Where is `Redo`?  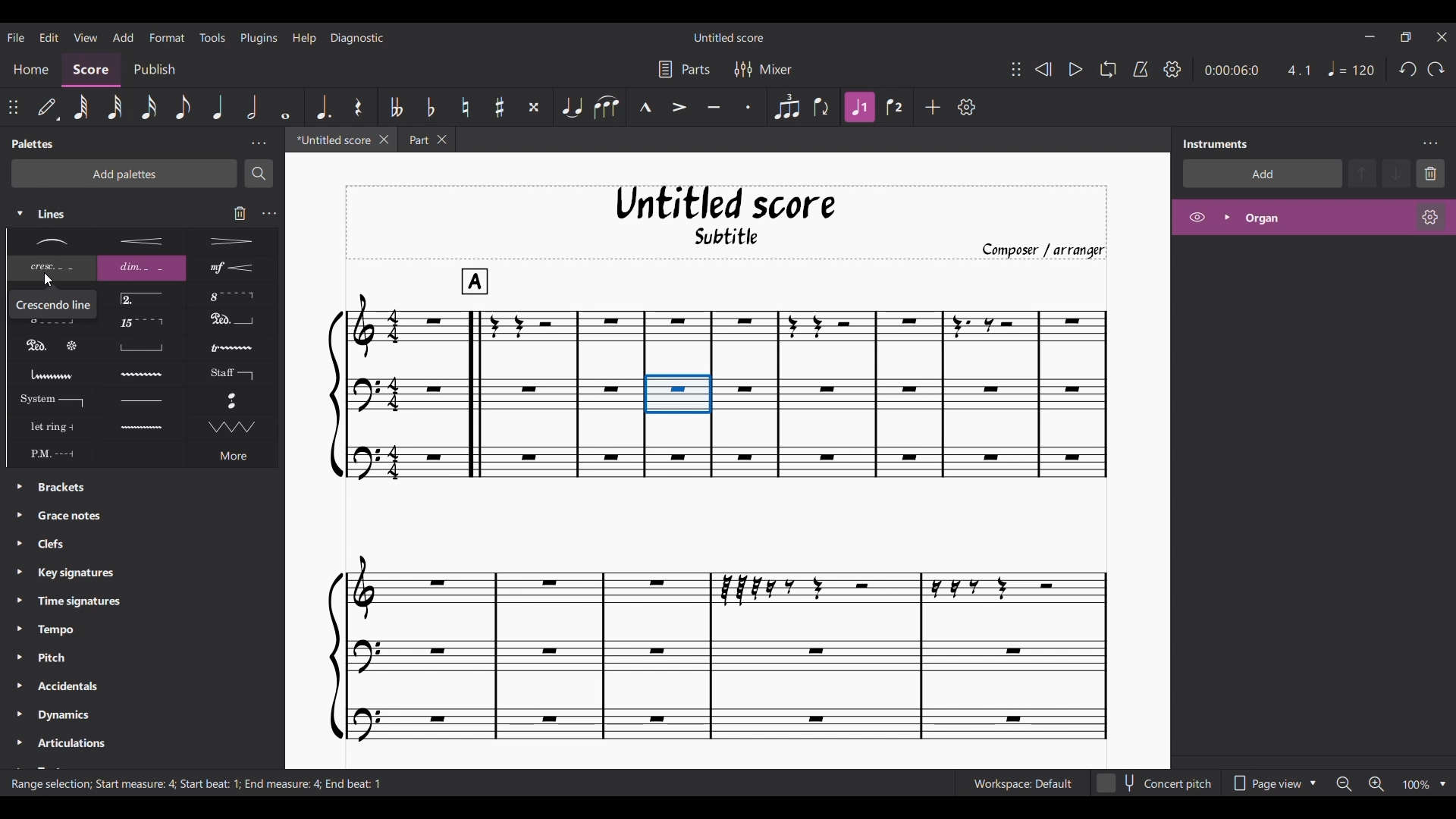 Redo is located at coordinates (1436, 68).